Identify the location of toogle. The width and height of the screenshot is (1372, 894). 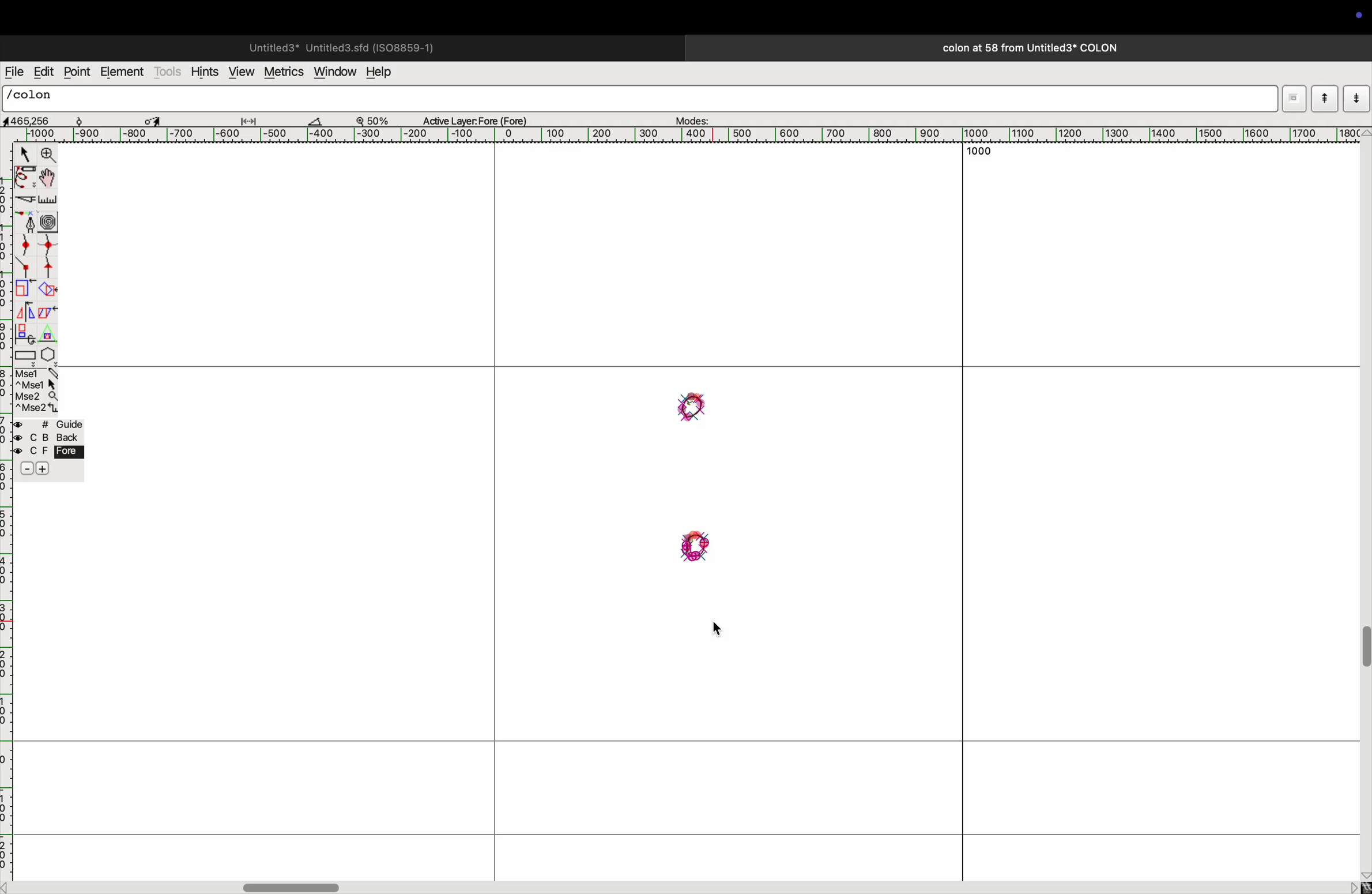
(47, 179).